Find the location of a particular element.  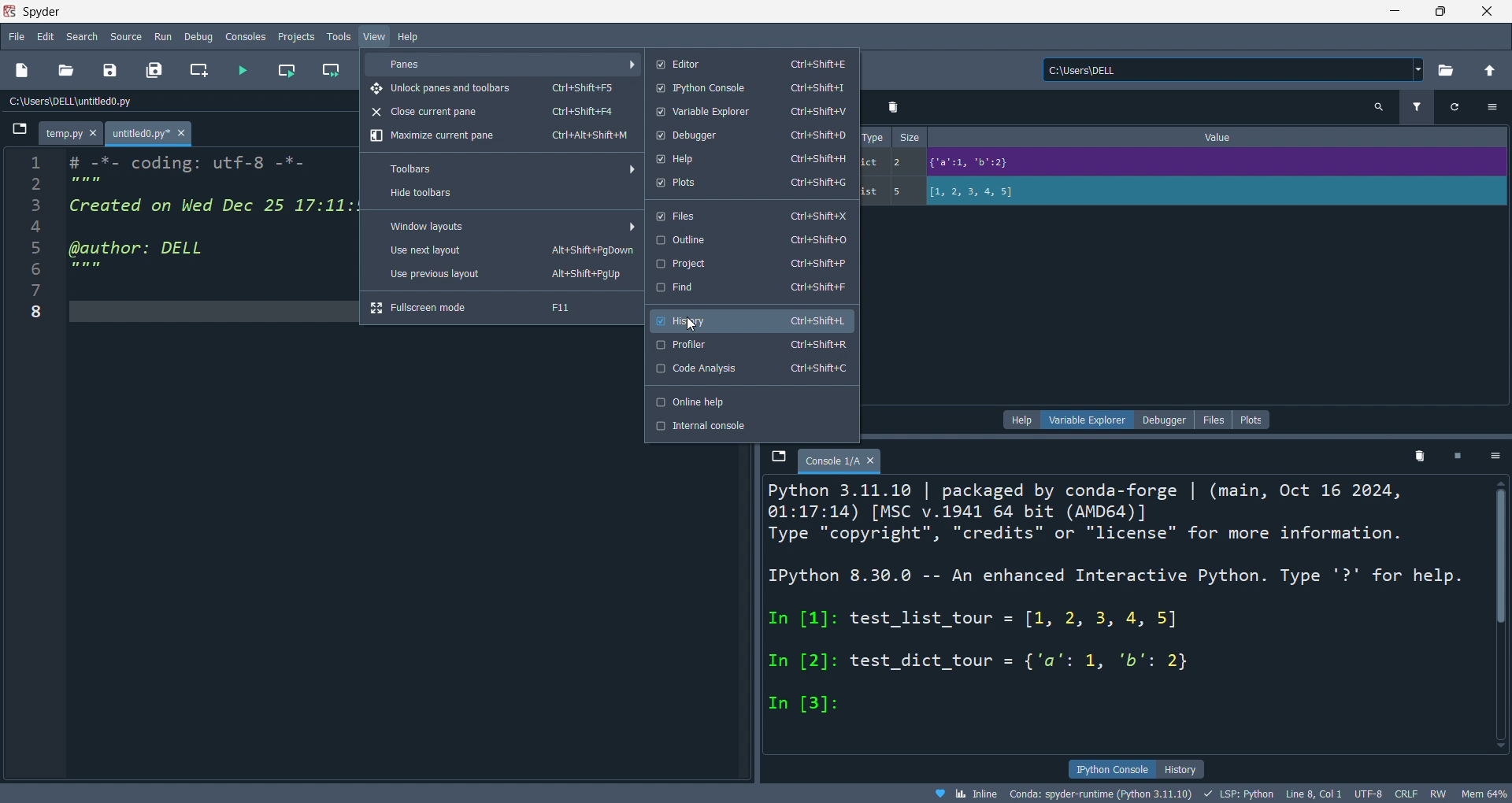

use next layout is located at coordinates (503, 252).